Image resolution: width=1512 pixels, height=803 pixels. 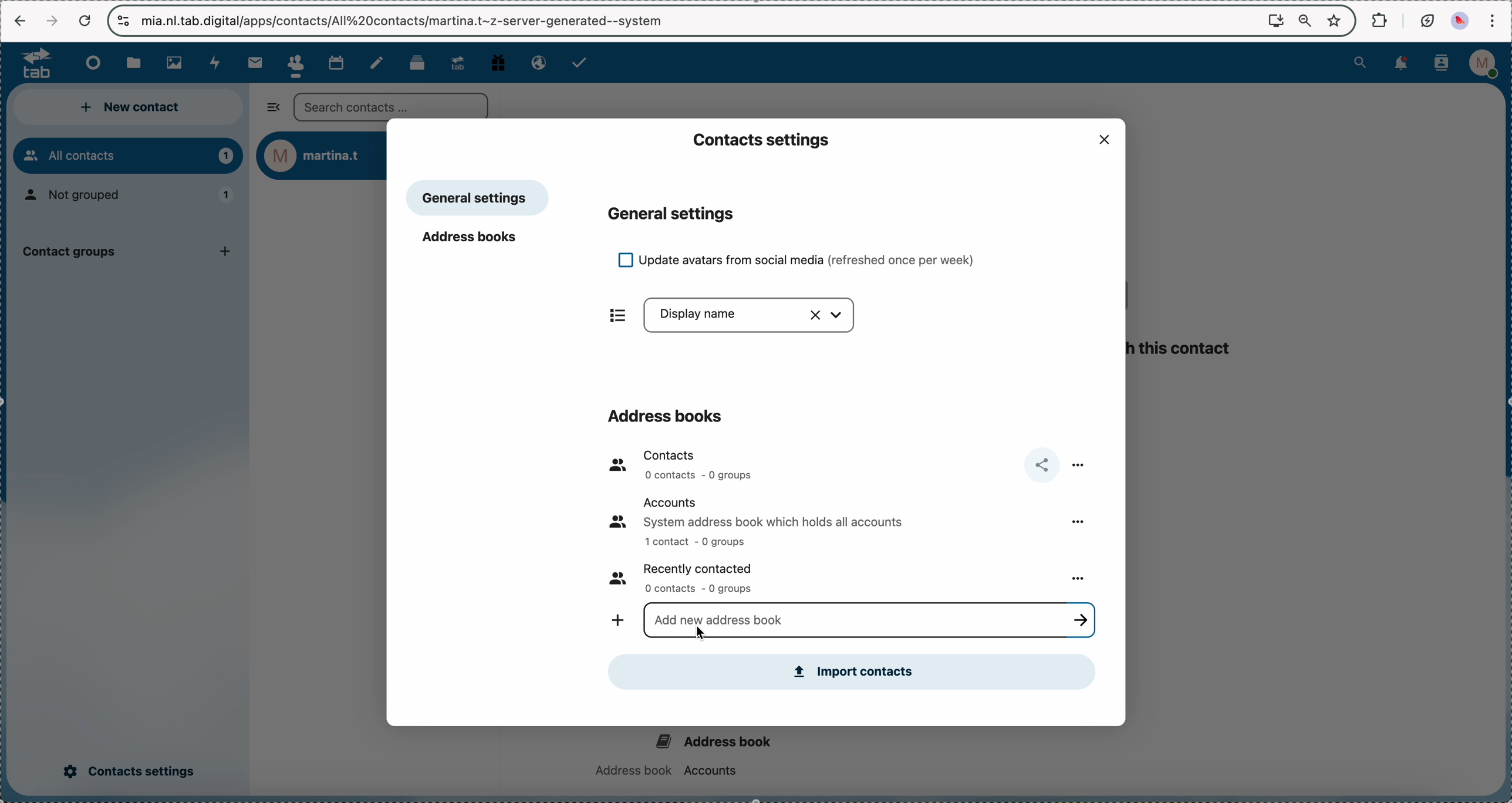 What do you see at coordinates (1075, 521) in the screenshot?
I see `more options` at bounding box center [1075, 521].